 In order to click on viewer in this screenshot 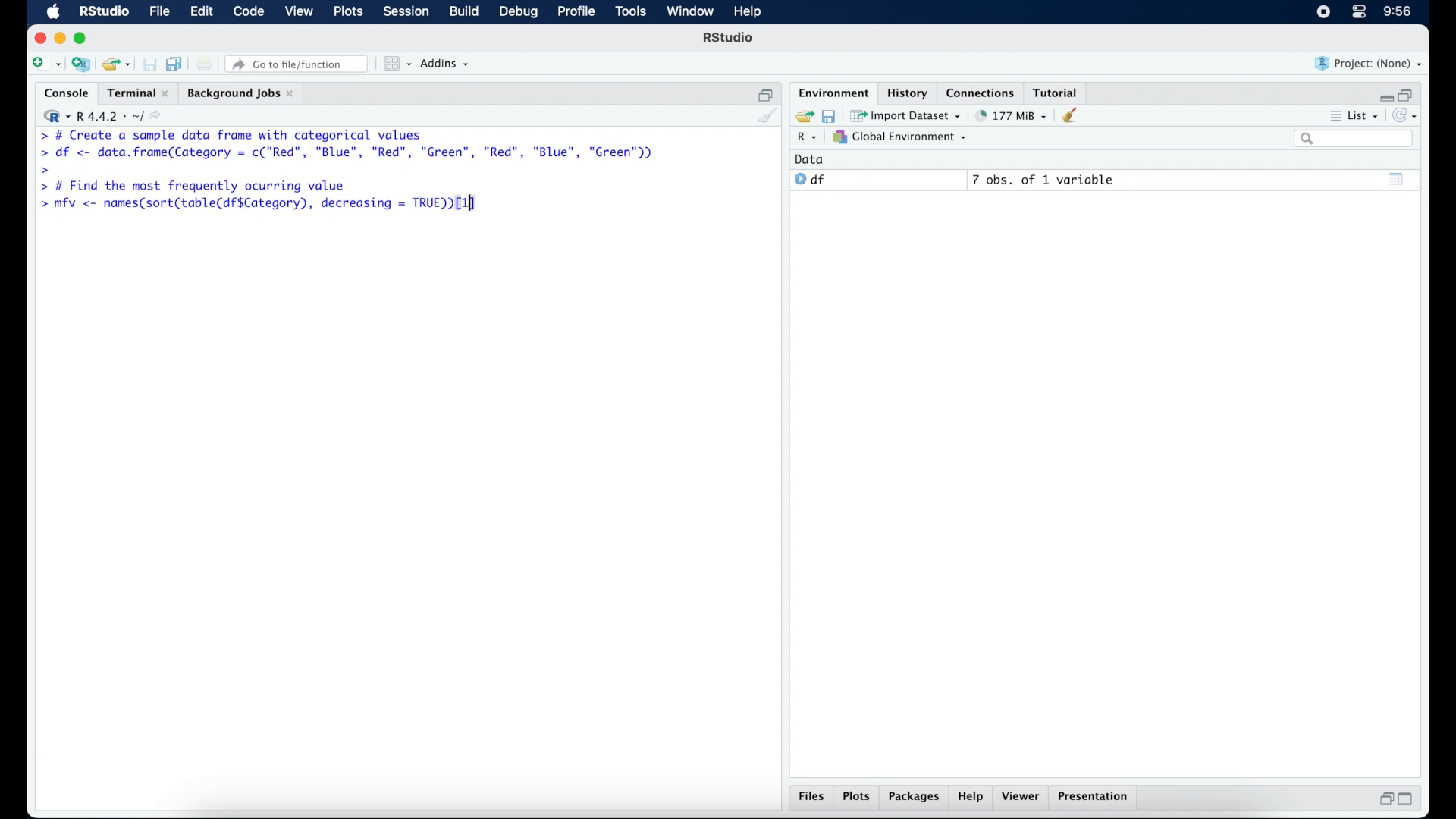, I will do `click(1022, 798)`.